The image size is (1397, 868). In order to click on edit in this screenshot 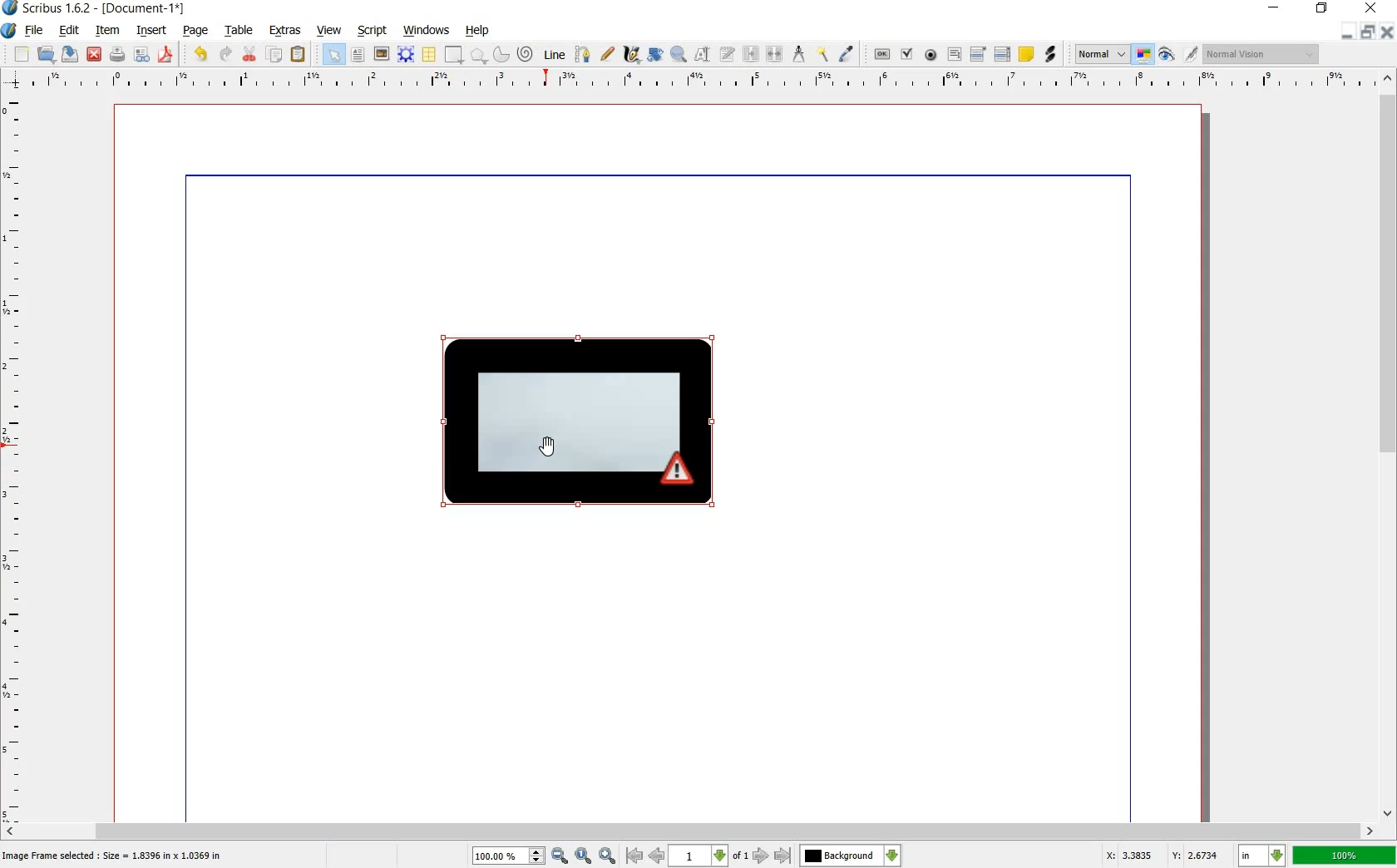, I will do `click(68, 31)`.